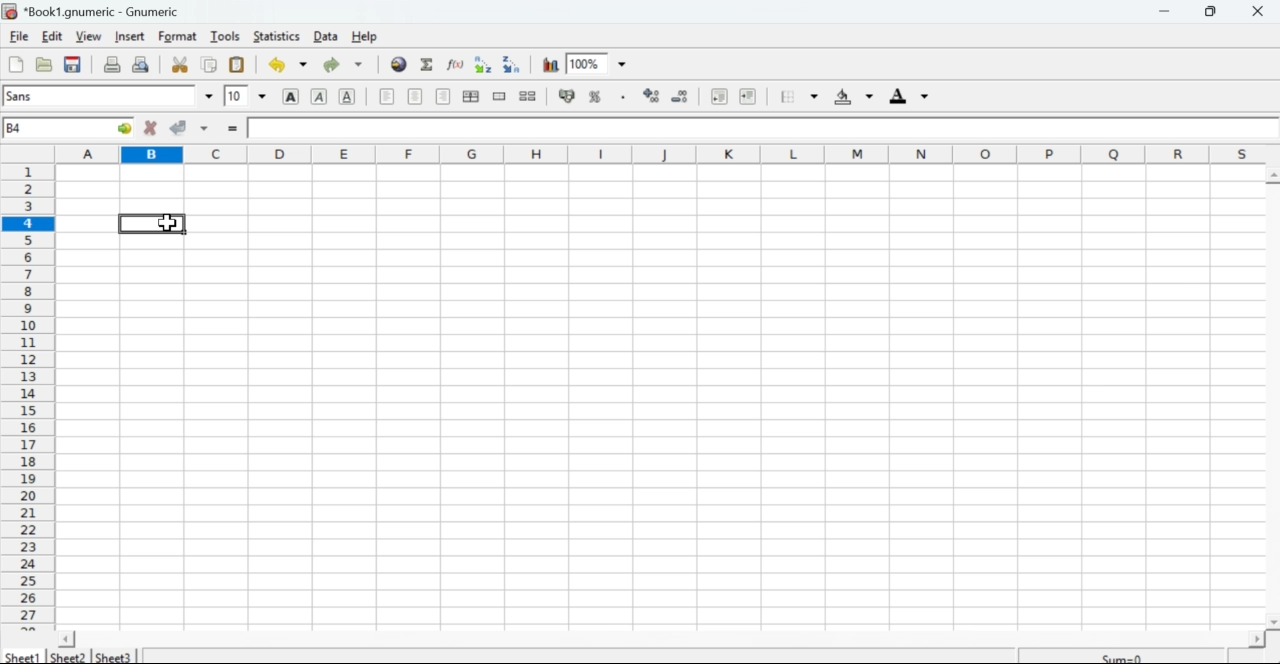  What do you see at coordinates (416, 97) in the screenshot?
I see `Center horizontally` at bounding box center [416, 97].